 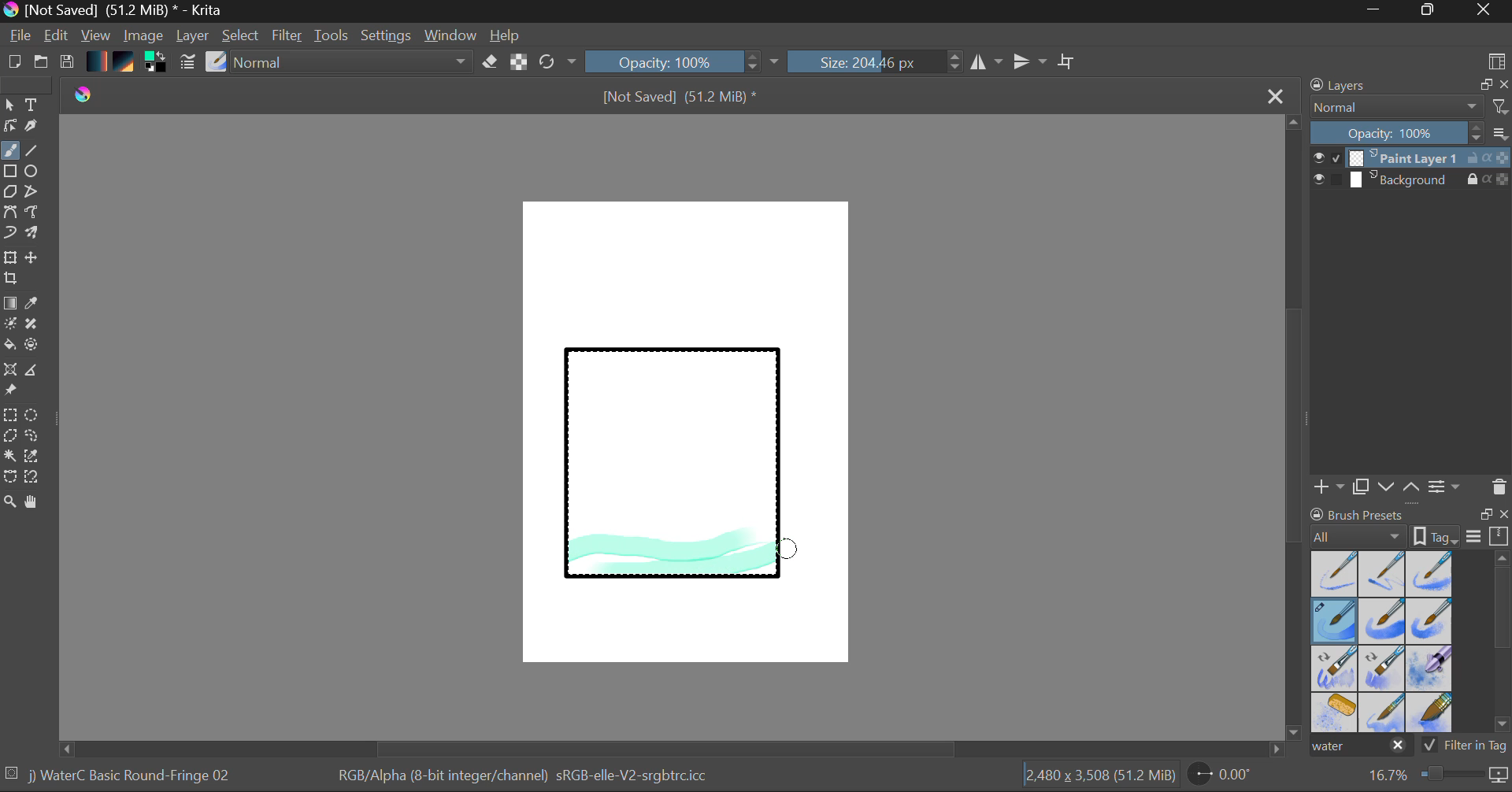 I want to click on DRAG_TO Stroke 2, so click(x=790, y=550).